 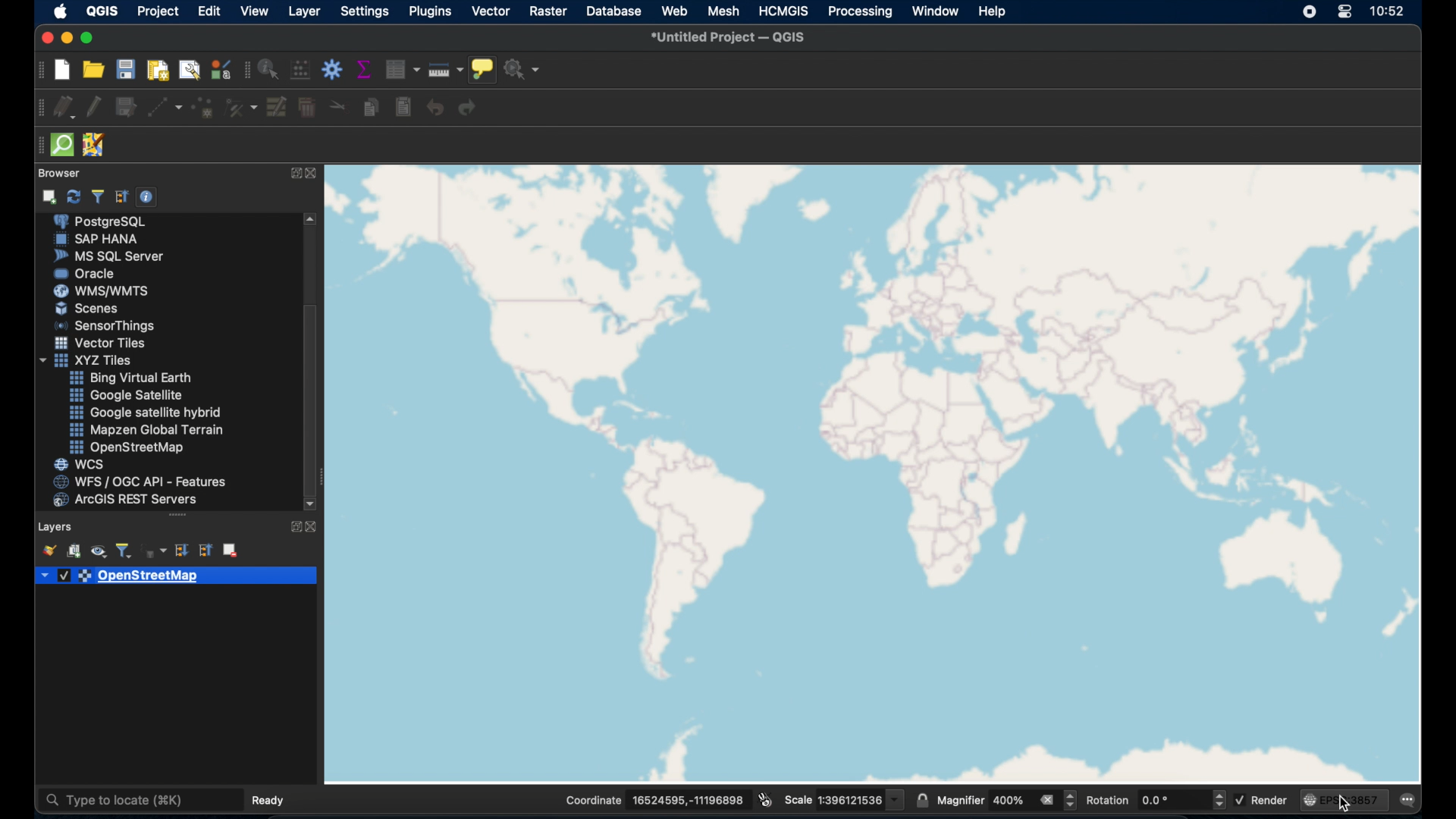 I want to click on identify feature, so click(x=269, y=72).